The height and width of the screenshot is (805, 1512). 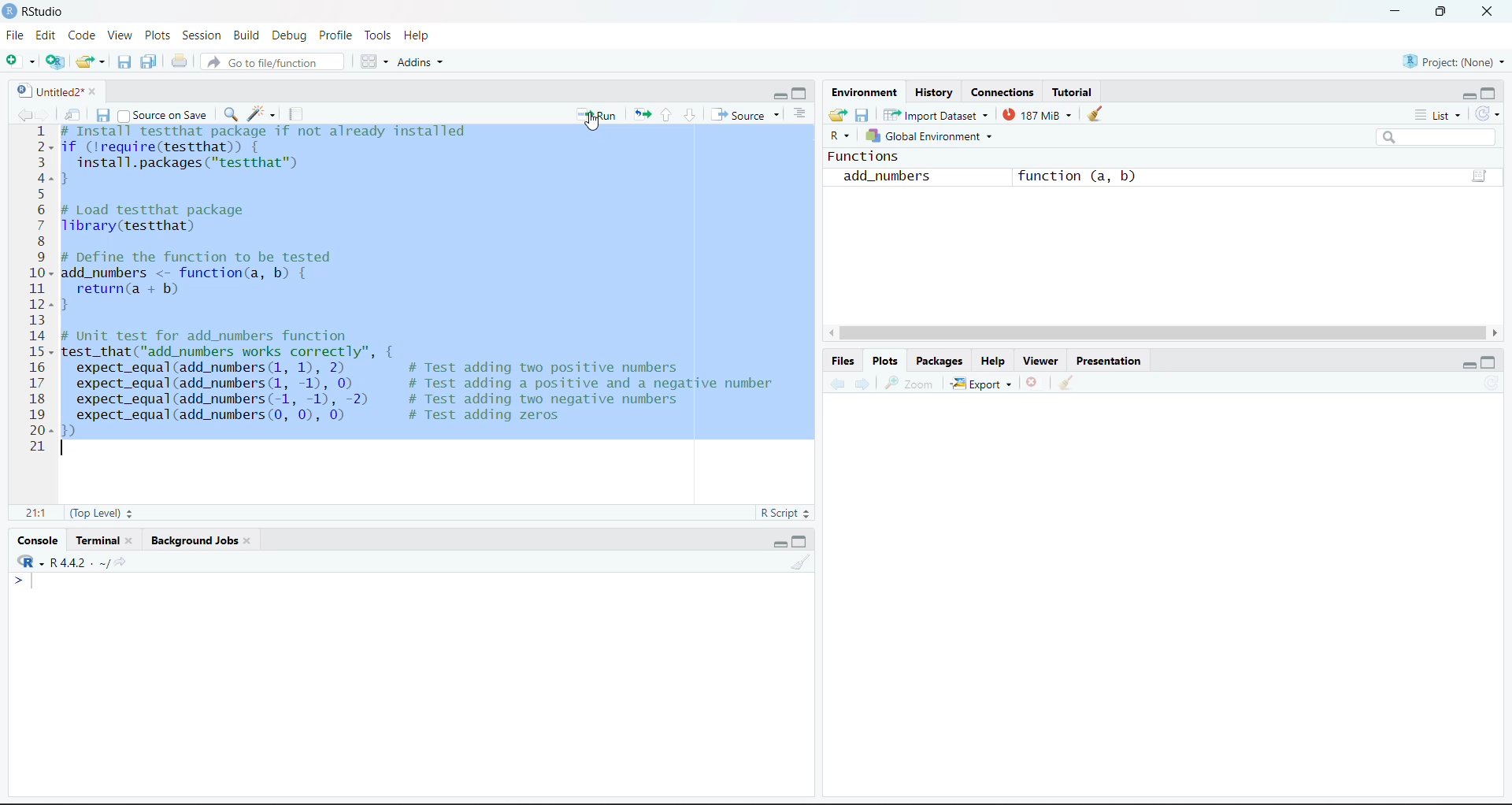 I want to click on Environment, so click(x=864, y=91).